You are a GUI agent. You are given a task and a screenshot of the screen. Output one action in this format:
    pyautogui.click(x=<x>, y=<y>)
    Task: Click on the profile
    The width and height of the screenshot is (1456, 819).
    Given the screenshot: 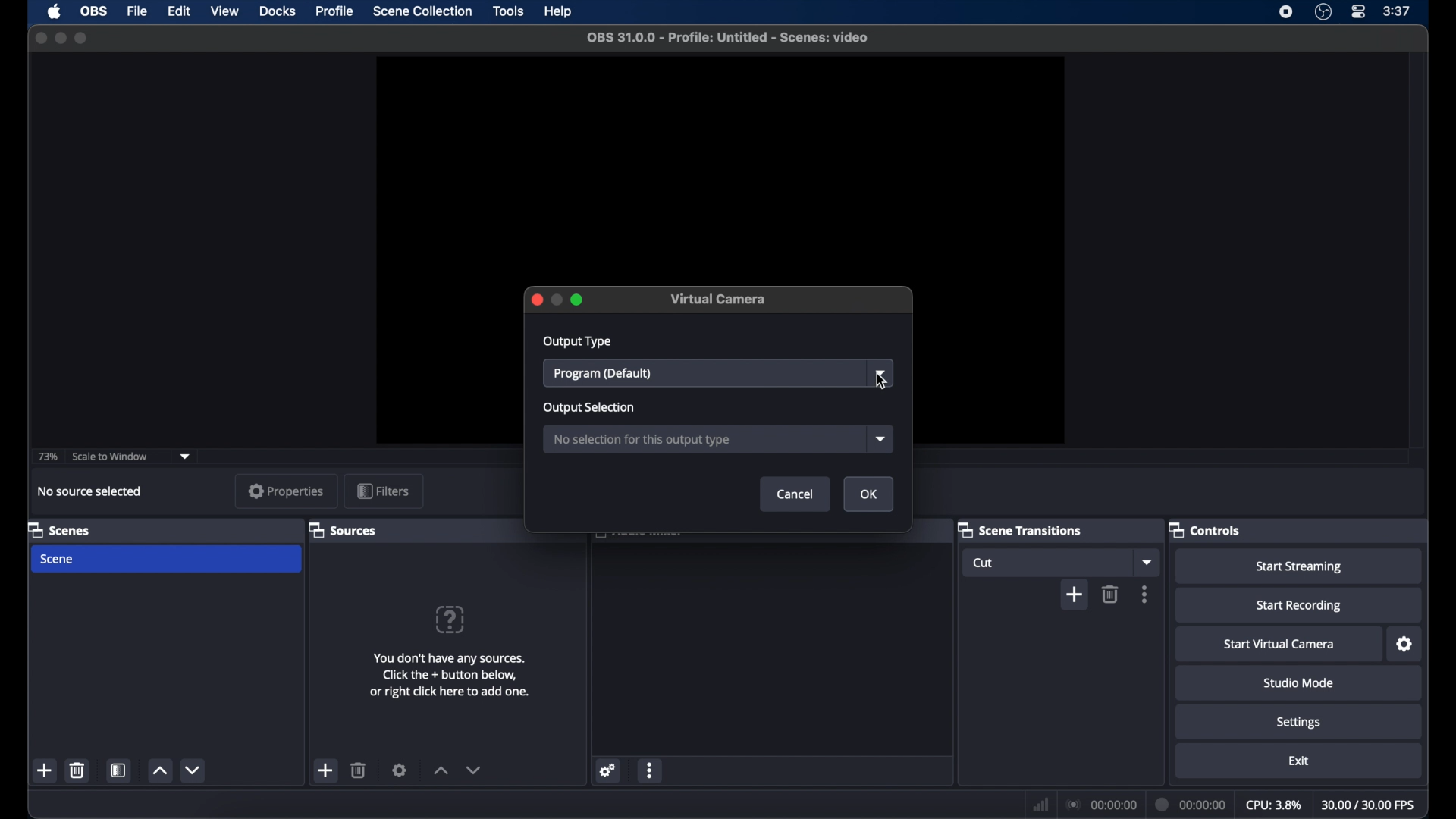 What is the action you would take?
    pyautogui.click(x=337, y=11)
    